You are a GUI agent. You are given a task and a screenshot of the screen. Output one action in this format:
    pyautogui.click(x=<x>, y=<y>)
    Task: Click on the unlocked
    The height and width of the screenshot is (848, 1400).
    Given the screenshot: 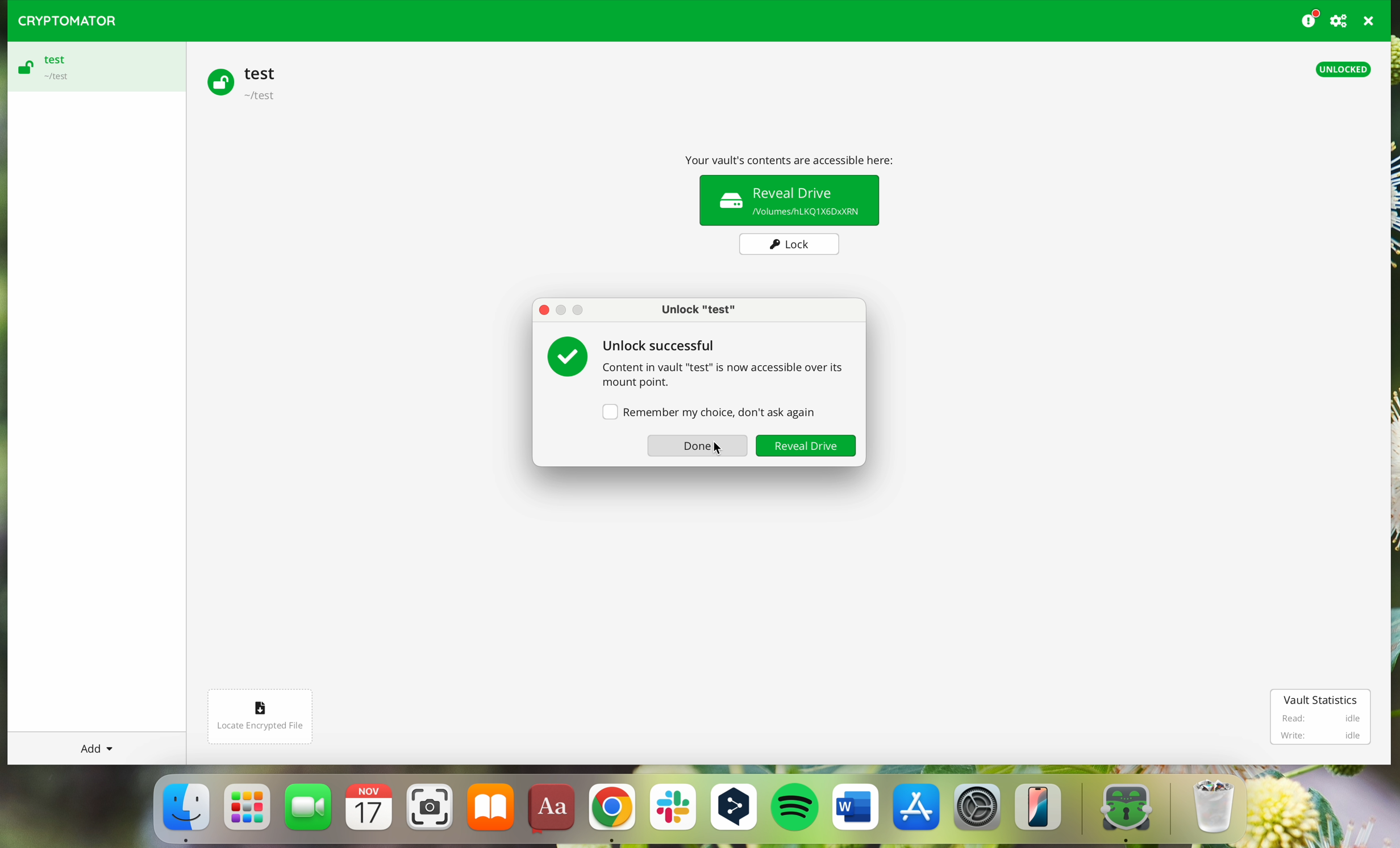 What is the action you would take?
    pyautogui.click(x=1343, y=70)
    